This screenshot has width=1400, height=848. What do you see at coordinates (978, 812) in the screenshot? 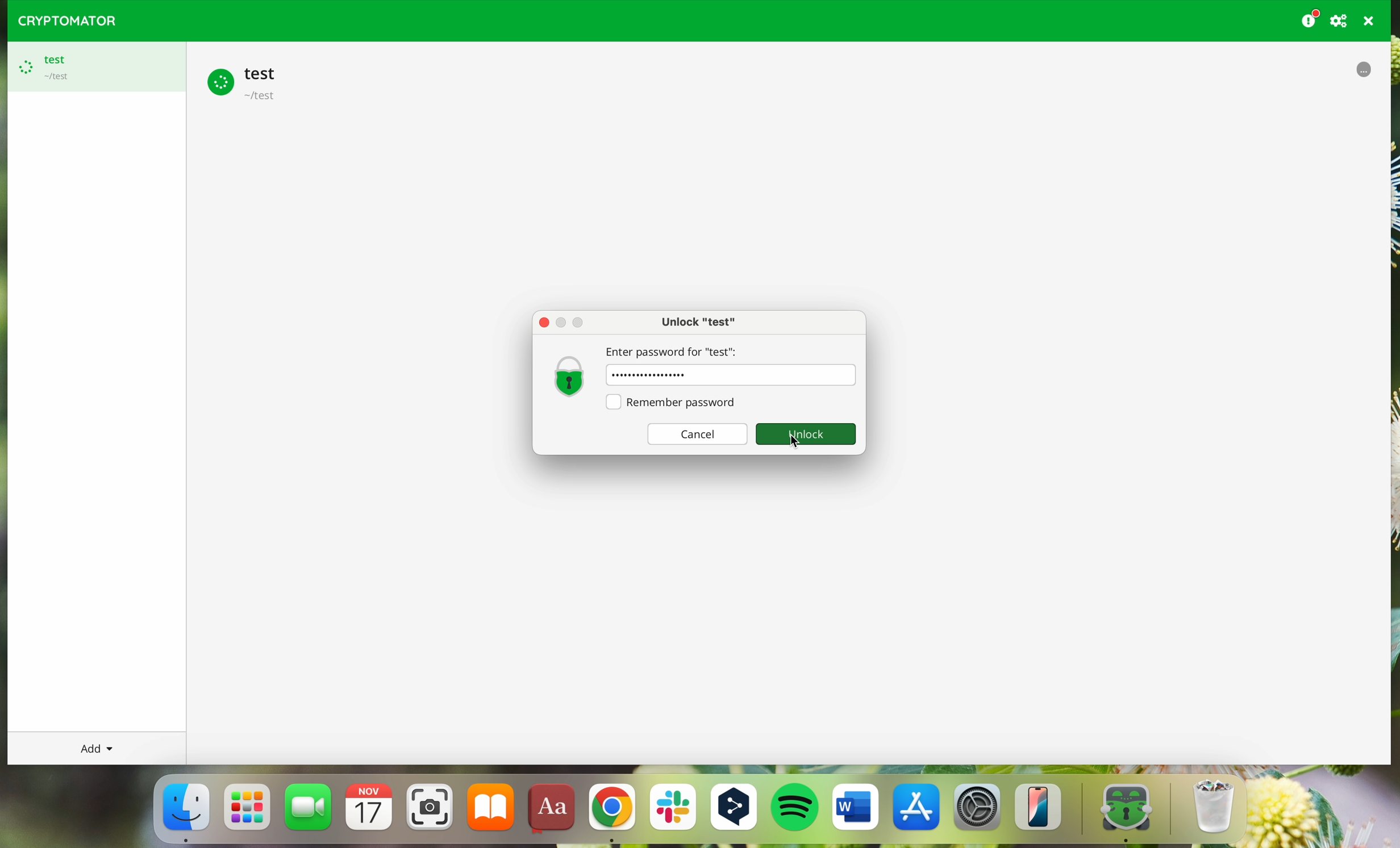
I see `settings` at bounding box center [978, 812].